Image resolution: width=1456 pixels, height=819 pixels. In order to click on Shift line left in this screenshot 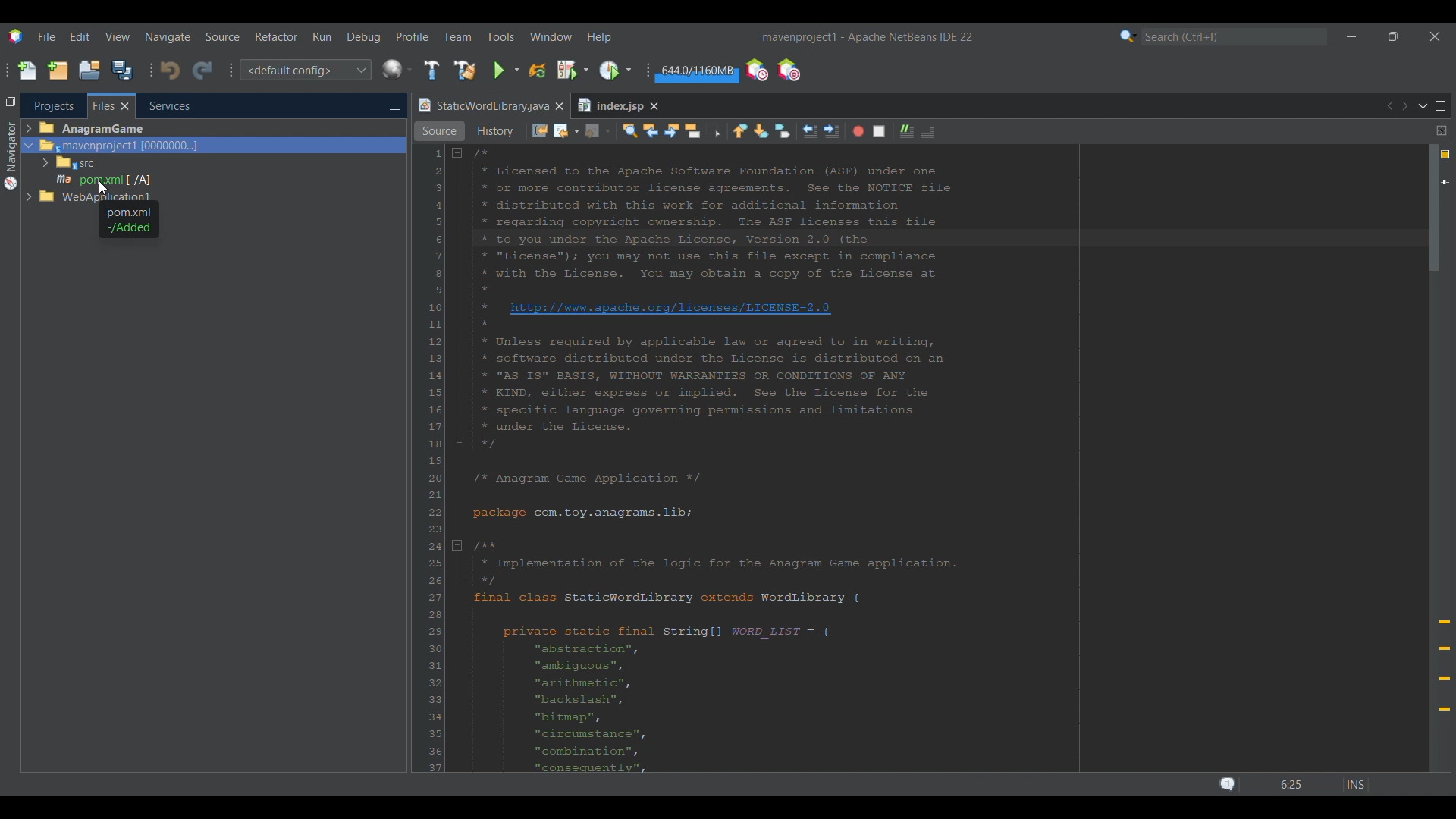, I will do `click(811, 131)`.